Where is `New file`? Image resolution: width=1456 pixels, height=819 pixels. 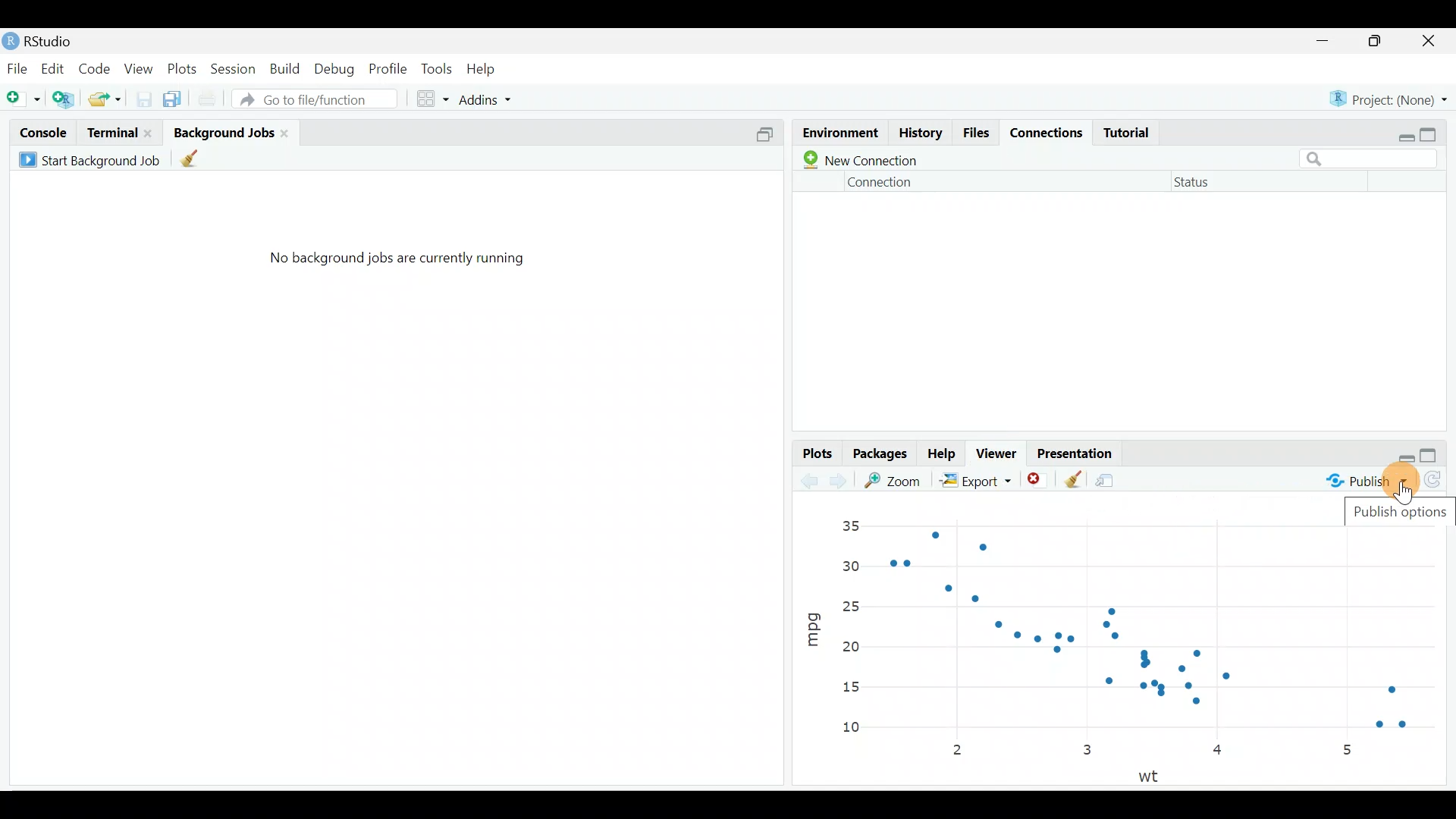 New file is located at coordinates (24, 96).